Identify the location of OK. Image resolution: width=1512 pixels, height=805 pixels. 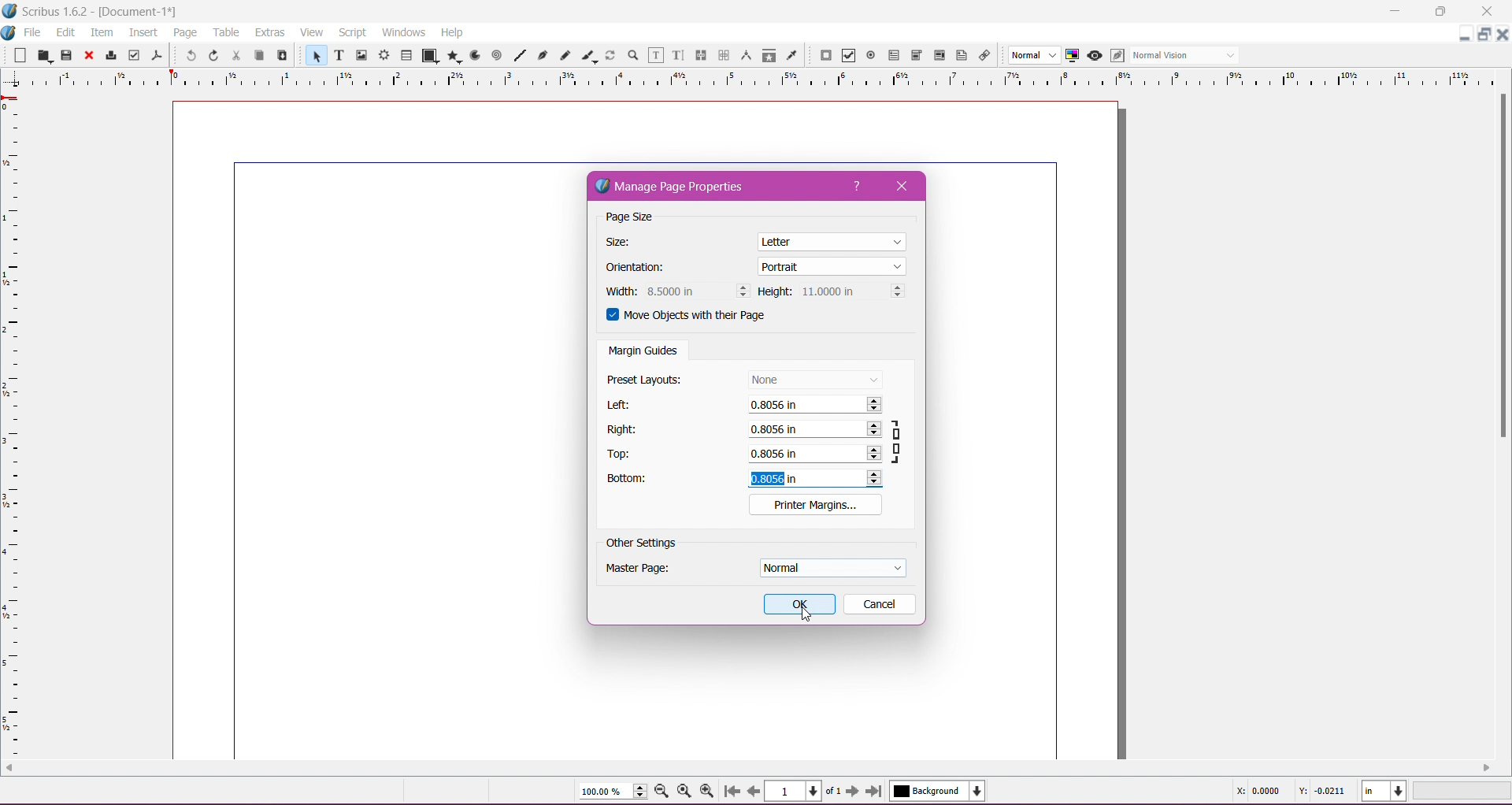
(799, 604).